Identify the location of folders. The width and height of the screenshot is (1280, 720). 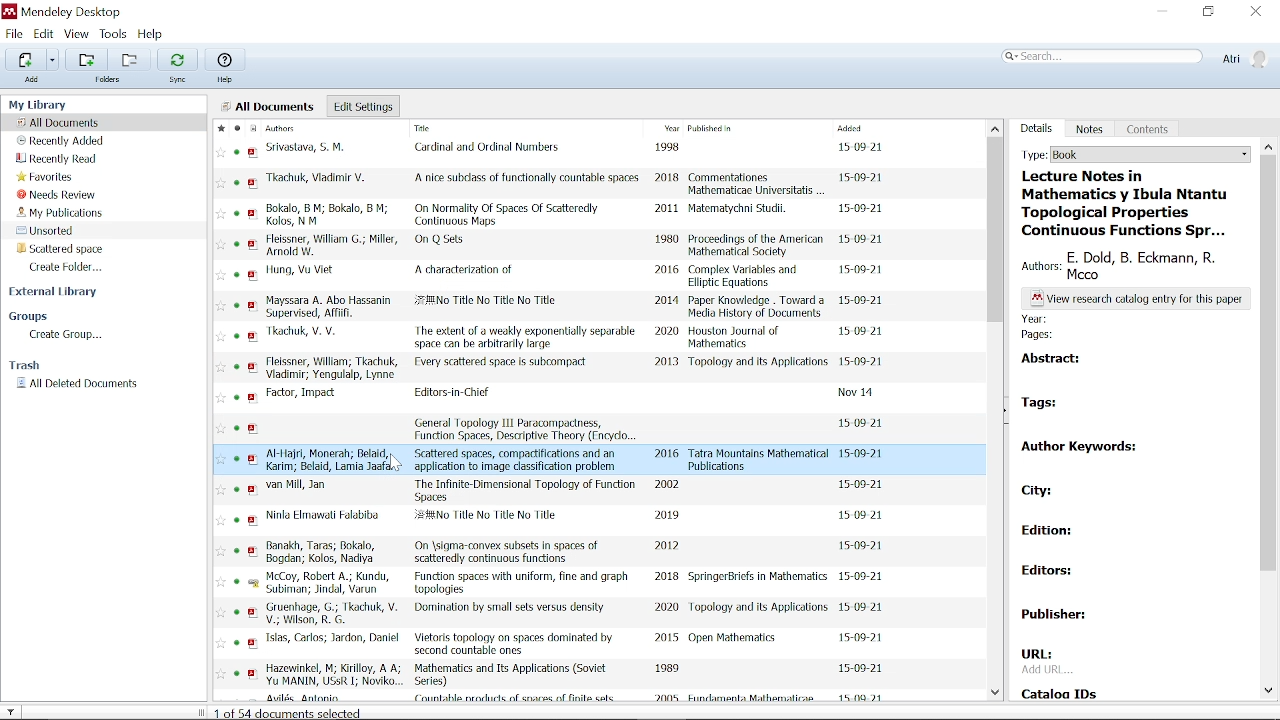
(112, 81).